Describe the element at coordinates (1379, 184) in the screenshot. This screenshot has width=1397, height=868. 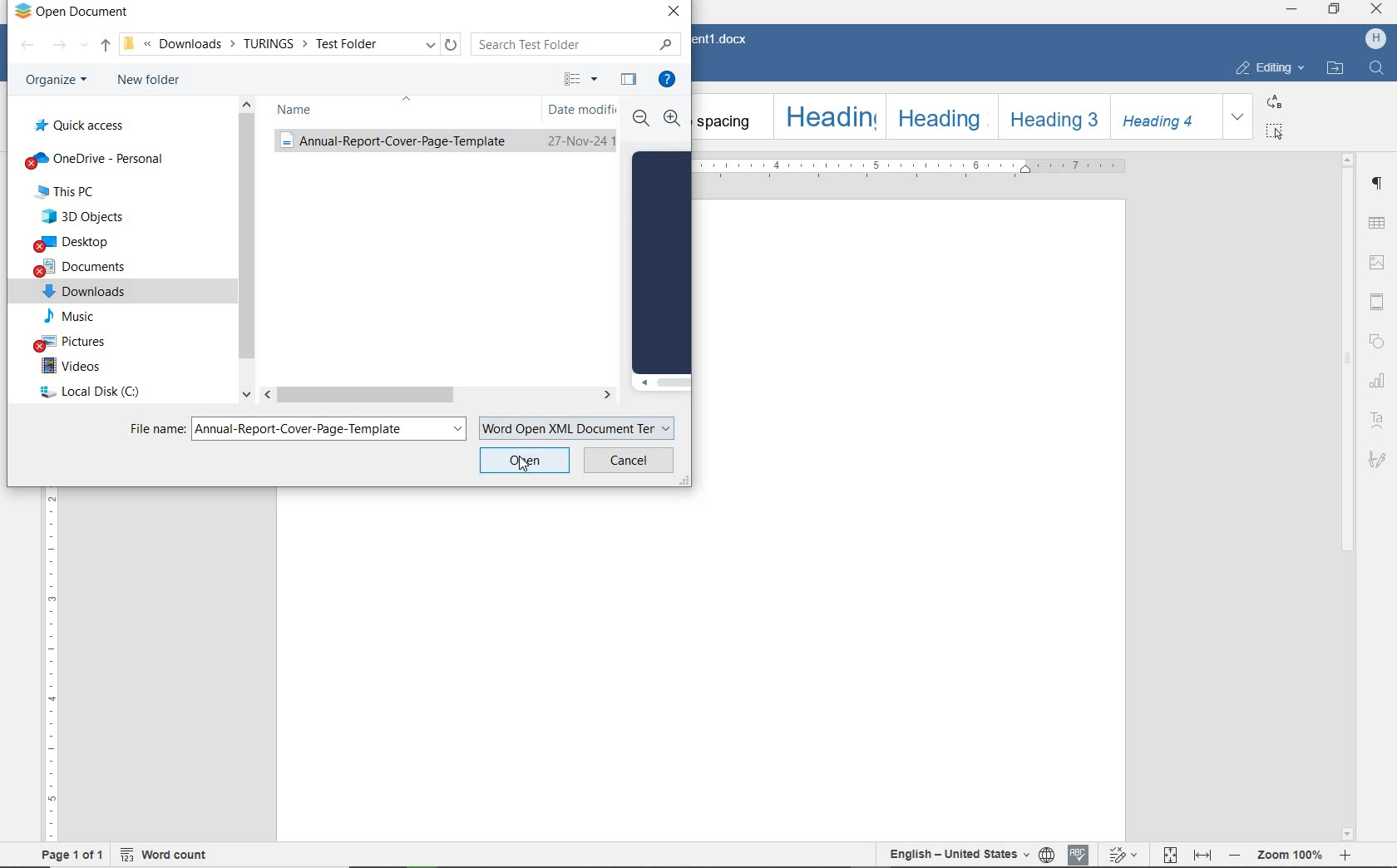
I see `paragraph settings` at that location.